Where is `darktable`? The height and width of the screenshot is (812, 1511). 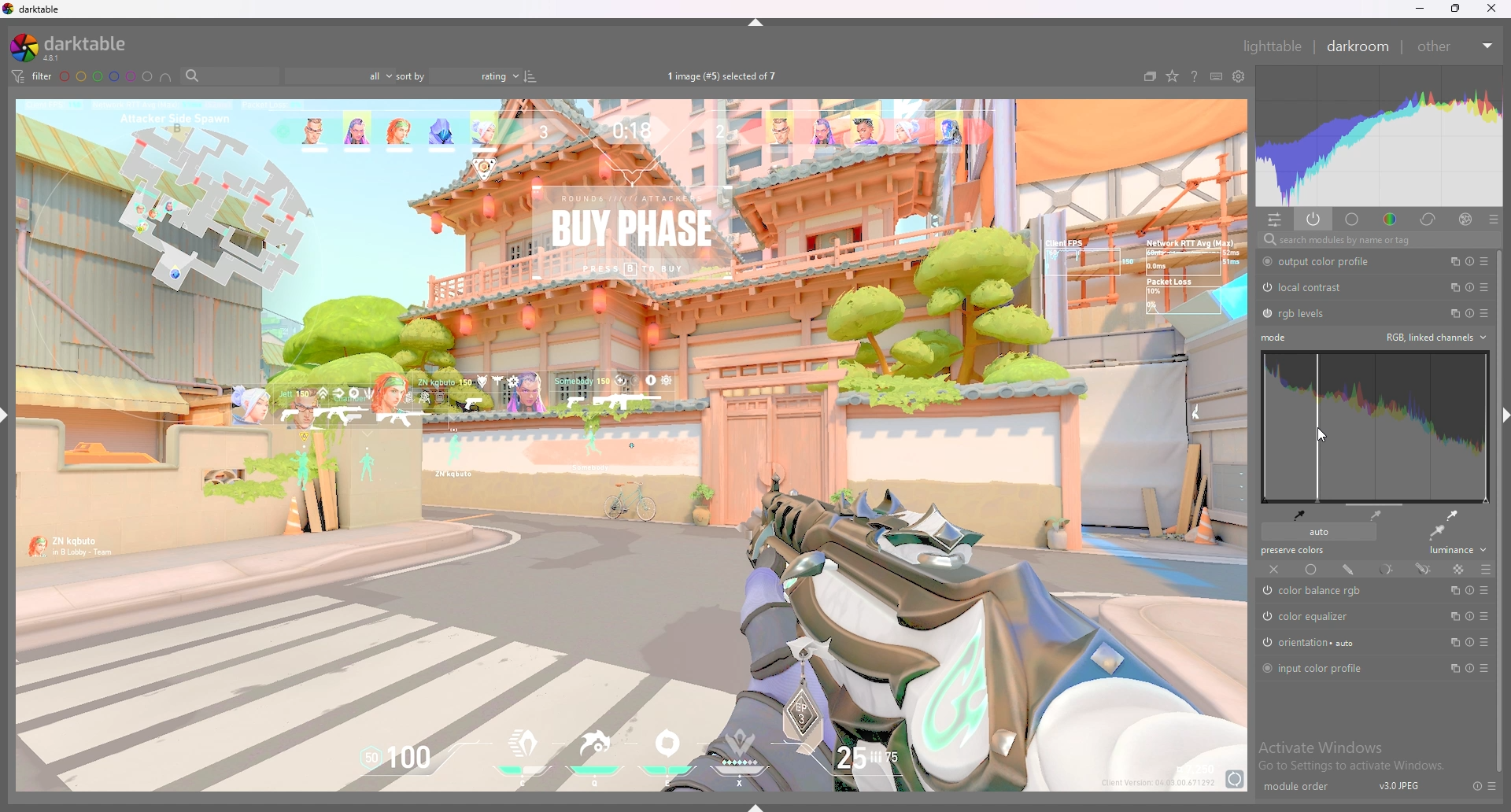
darktable is located at coordinates (34, 9).